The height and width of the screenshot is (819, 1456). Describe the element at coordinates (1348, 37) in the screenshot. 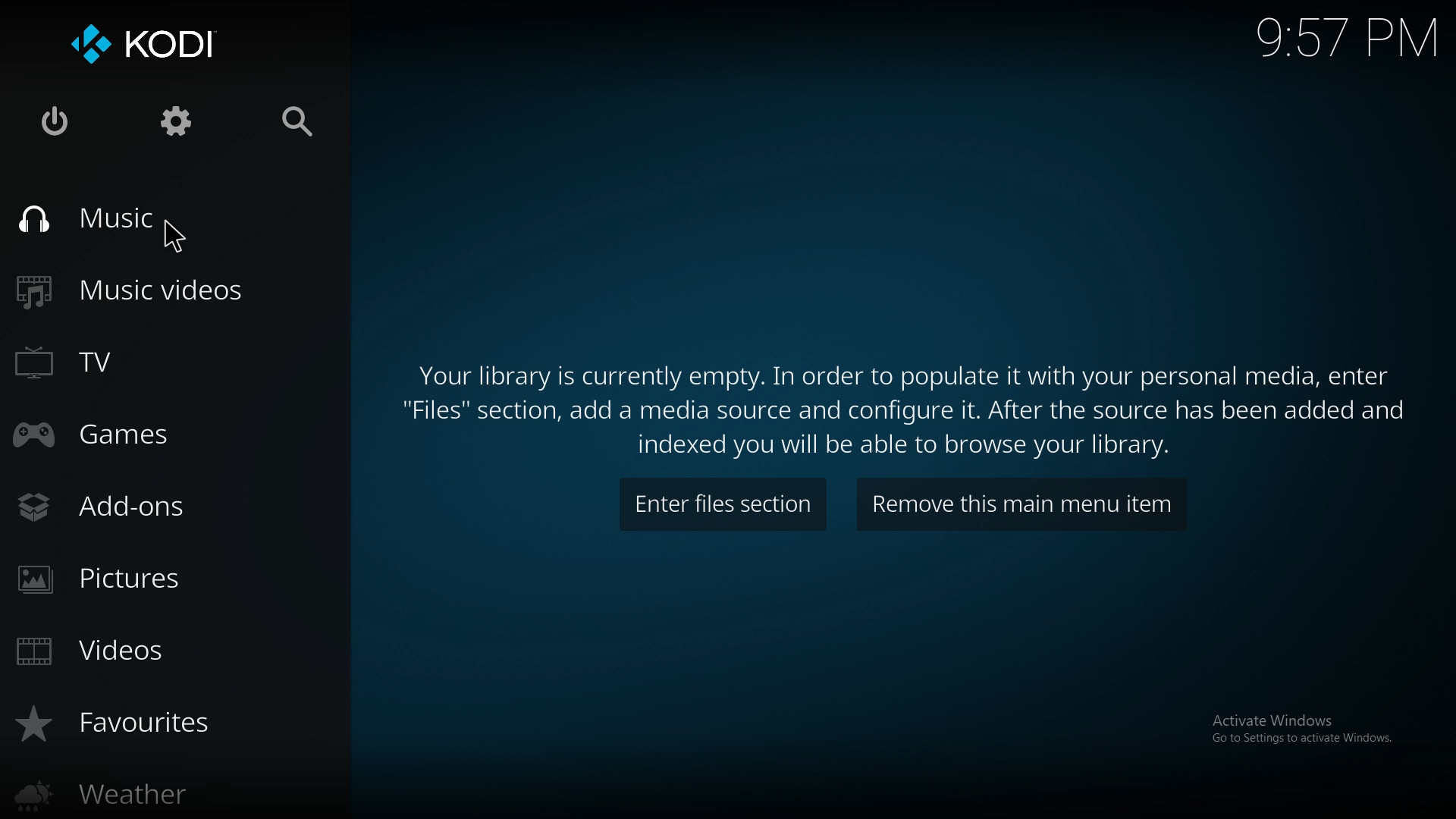

I see `time` at that location.